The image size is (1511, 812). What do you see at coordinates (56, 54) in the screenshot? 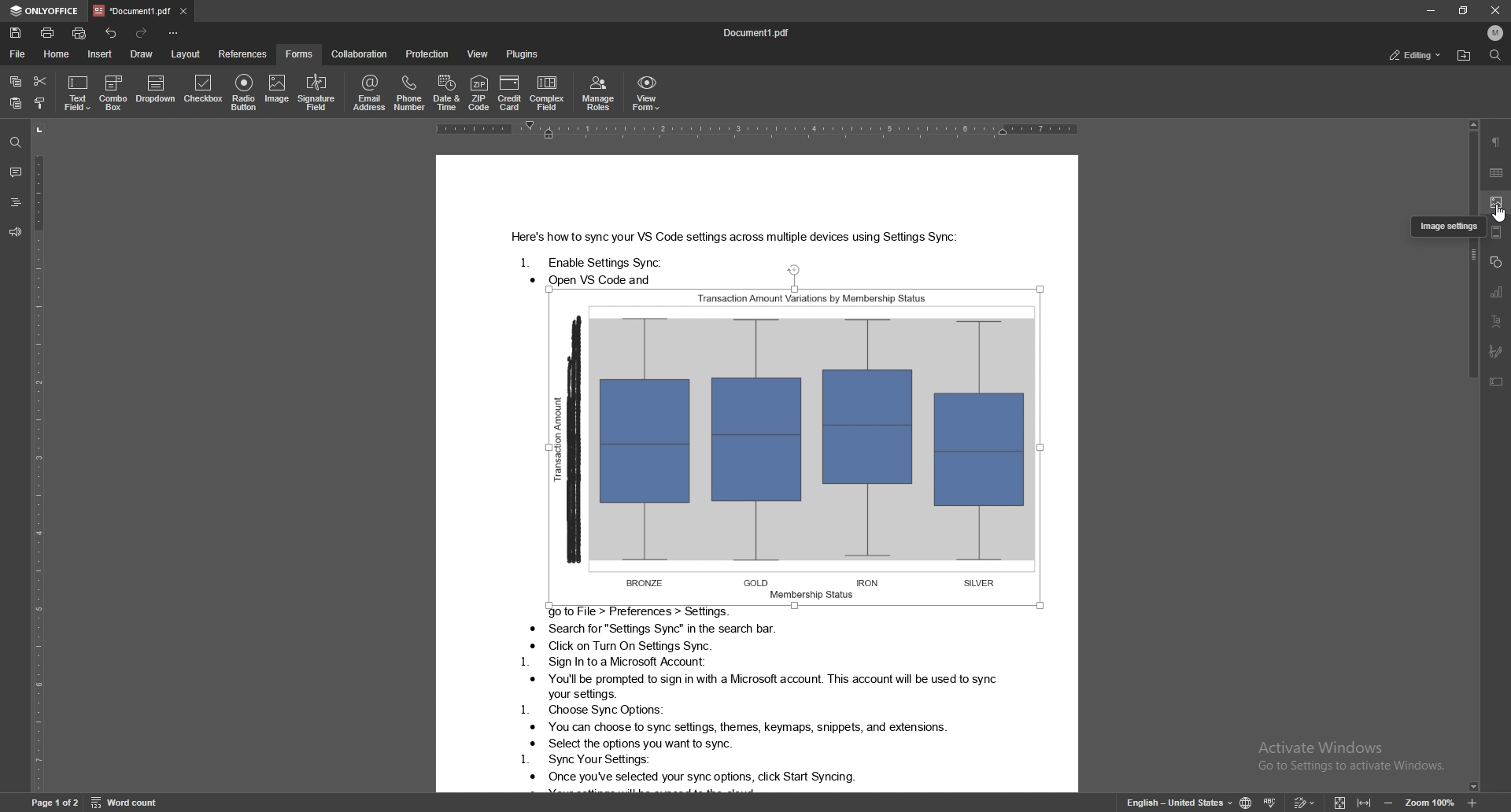
I see `home` at bounding box center [56, 54].